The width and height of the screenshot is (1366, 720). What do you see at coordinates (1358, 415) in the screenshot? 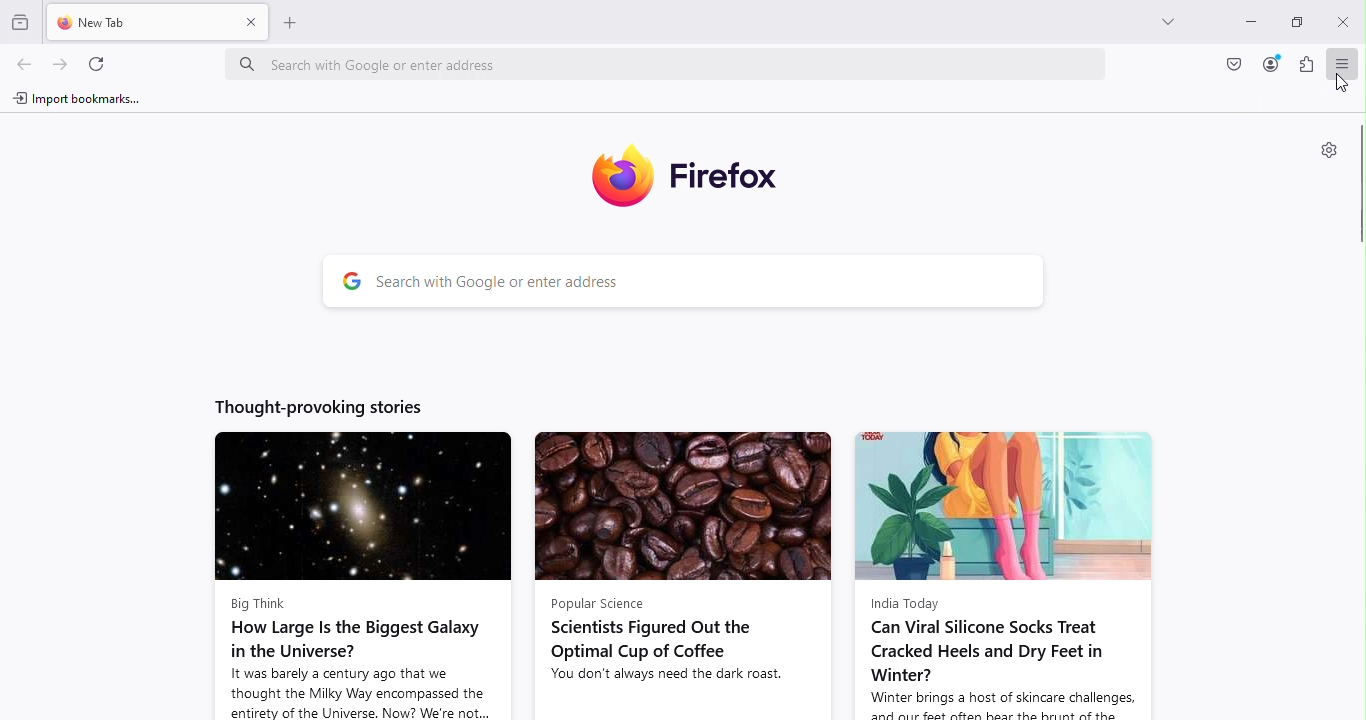
I see `Scroll bar` at bounding box center [1358, 415].